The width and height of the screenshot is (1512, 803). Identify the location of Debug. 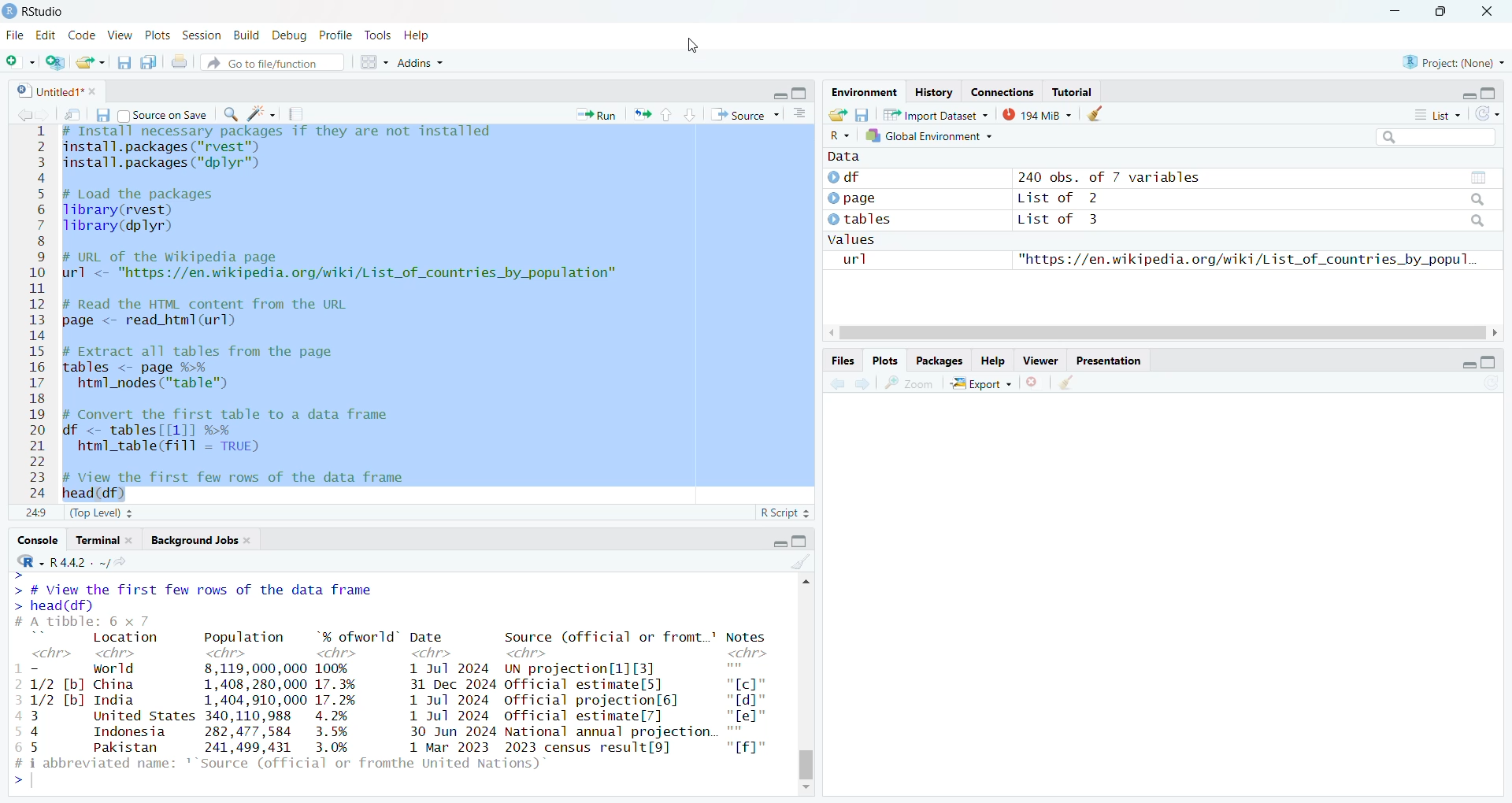
(291, 36).